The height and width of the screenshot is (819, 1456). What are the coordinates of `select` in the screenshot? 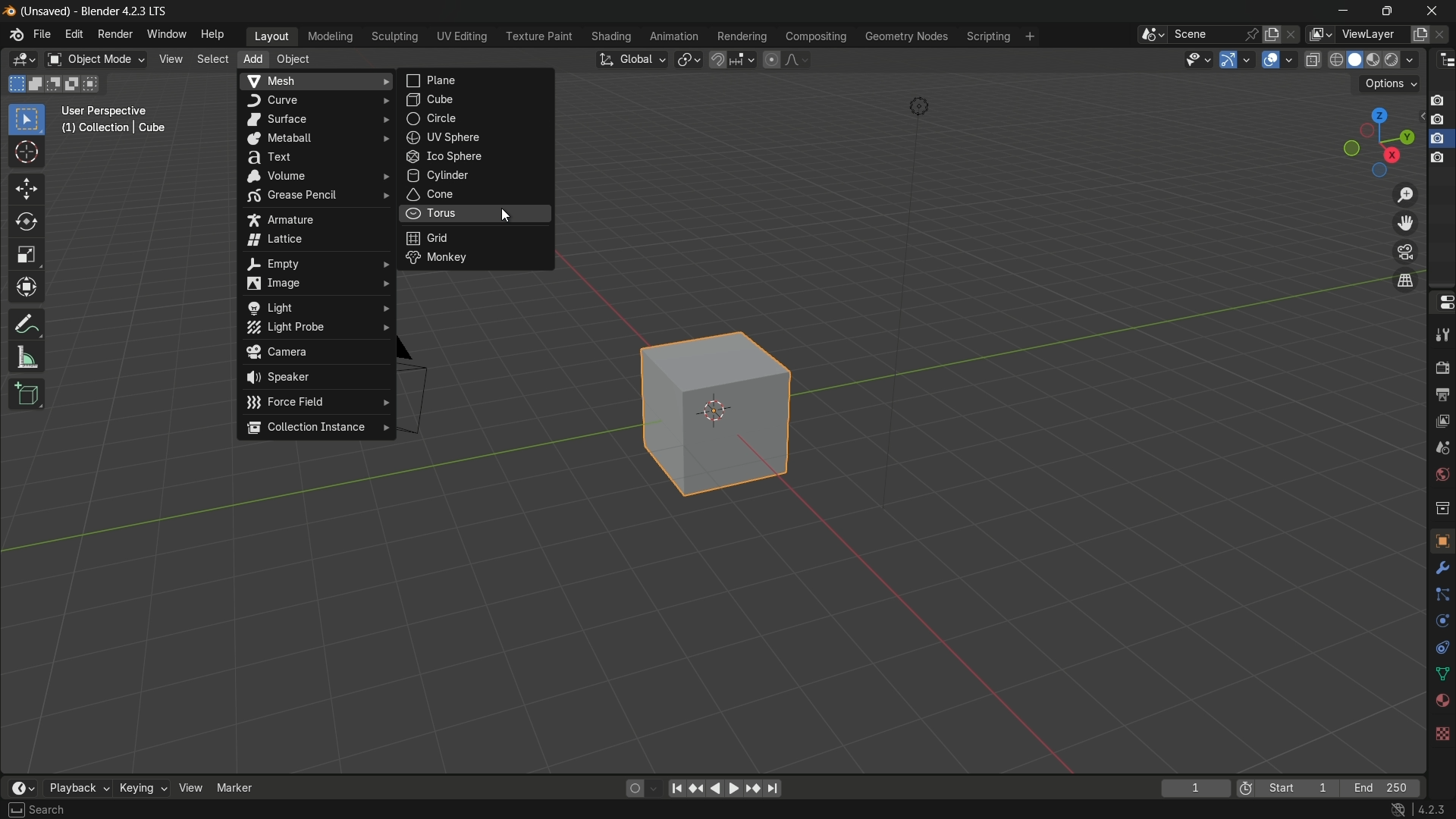 It's located at (26, 121).